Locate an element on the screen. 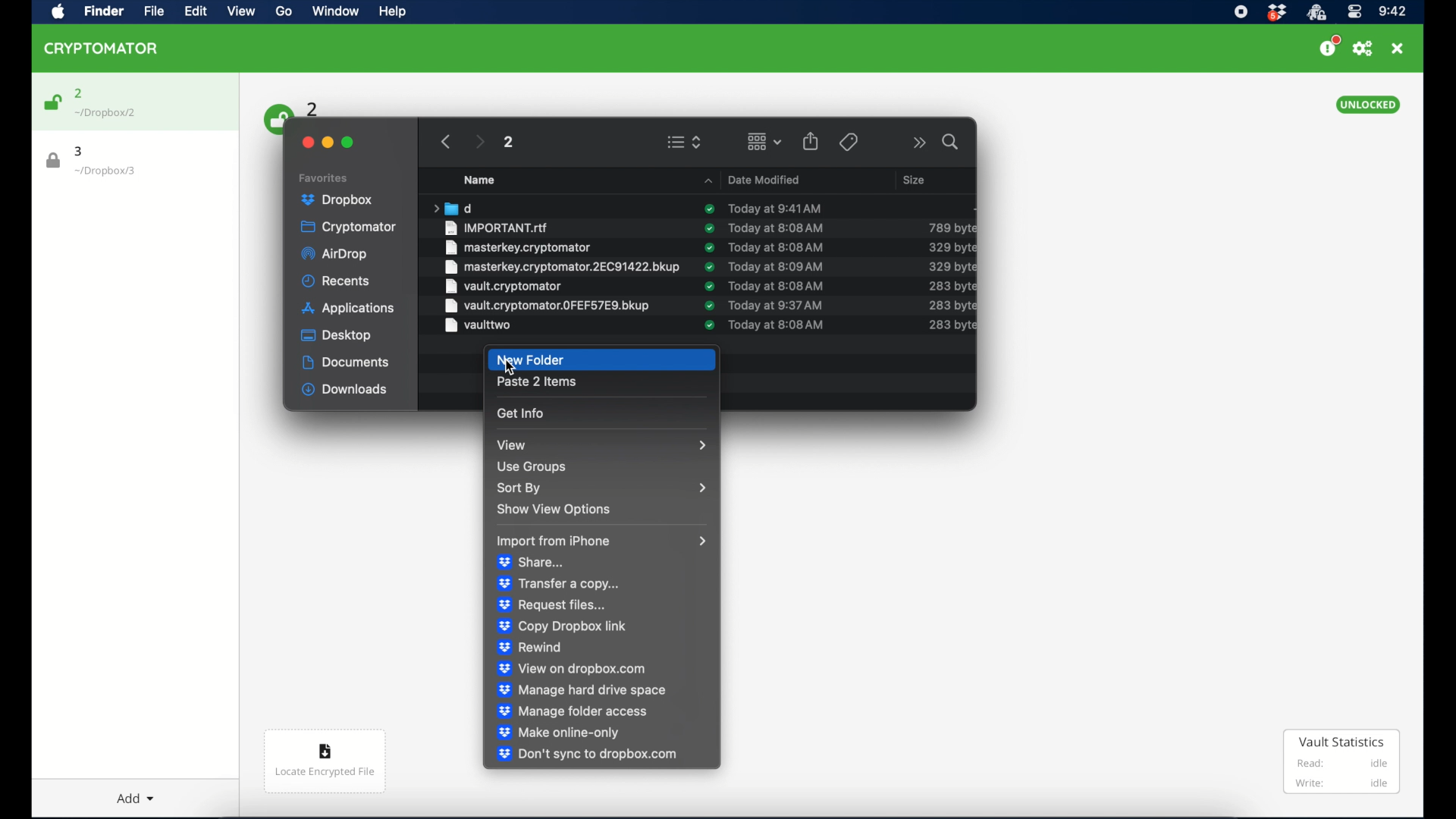  documents is located at coordinates (346, 362).